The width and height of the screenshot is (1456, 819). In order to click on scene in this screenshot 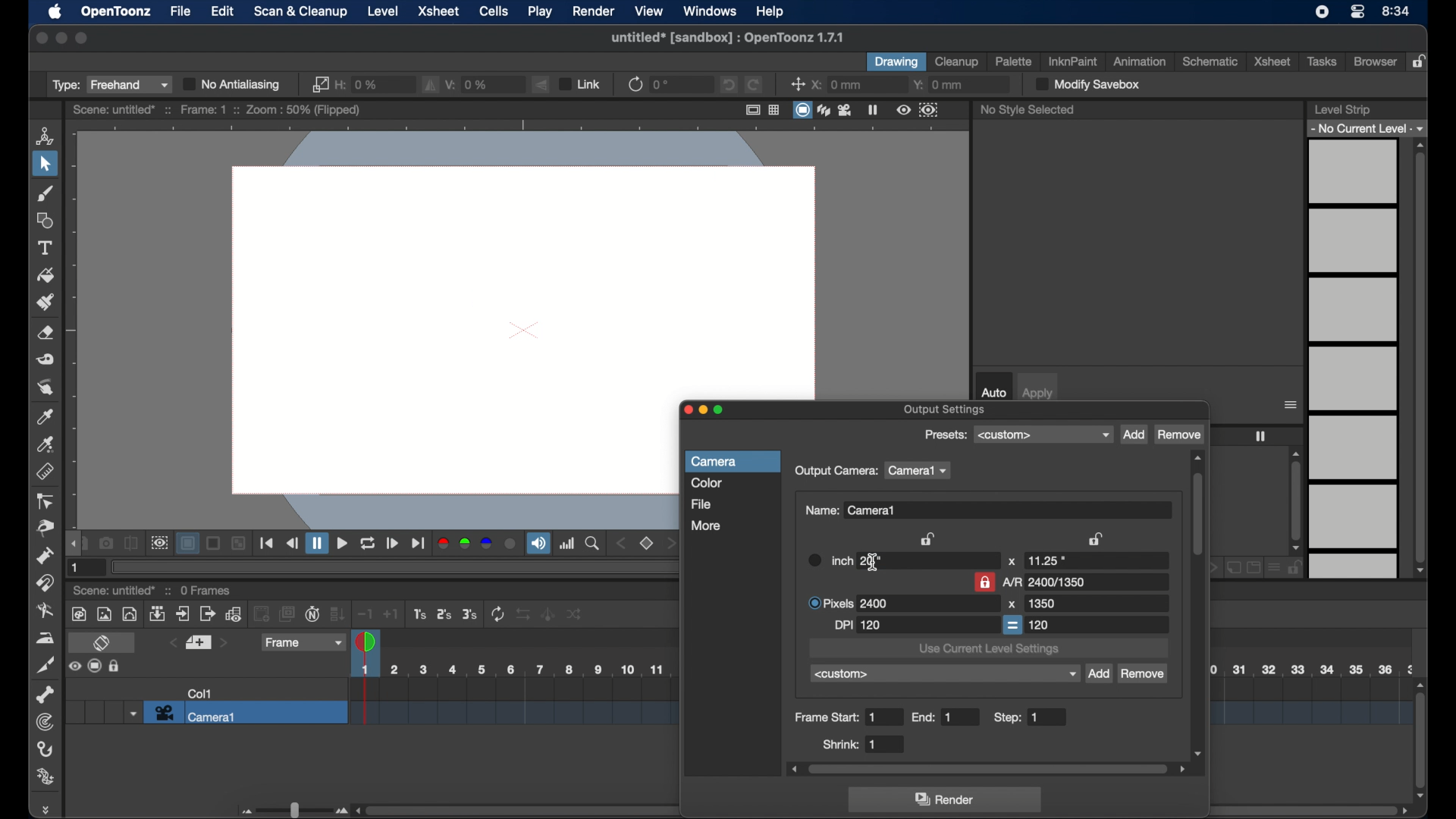, I will do `click(511, 703)`.